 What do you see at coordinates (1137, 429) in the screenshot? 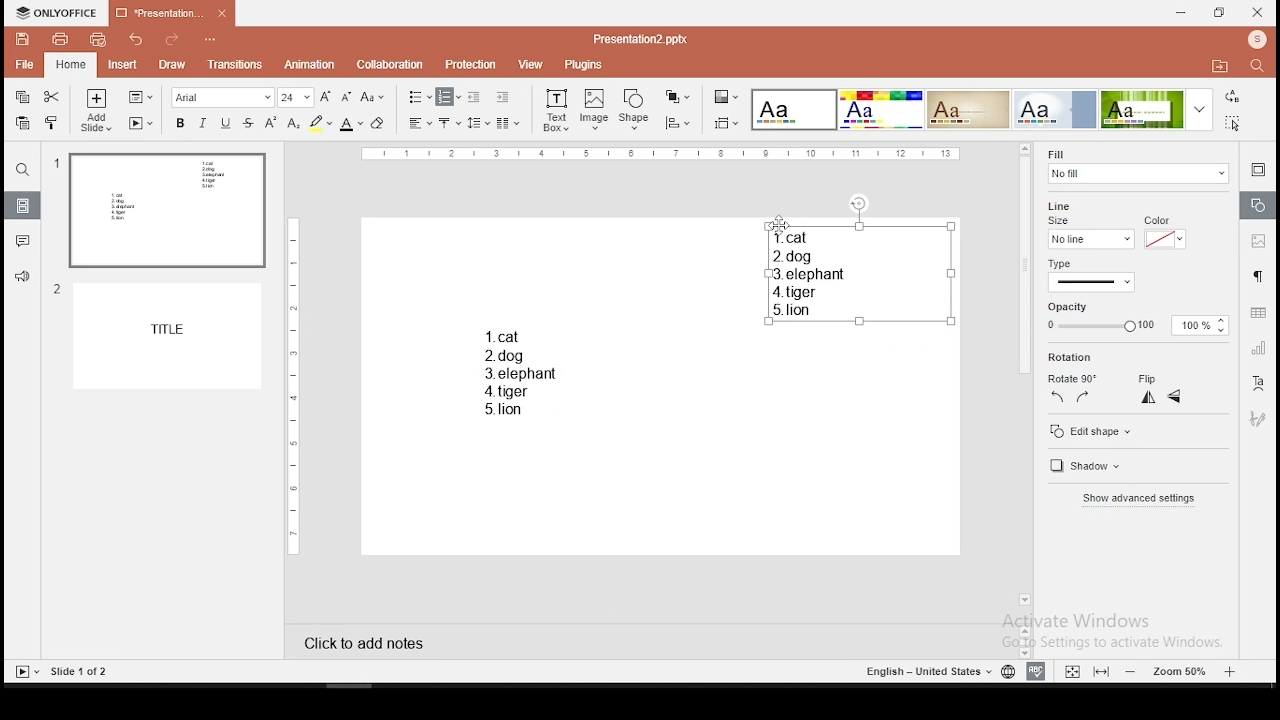
I see `edit shape` at bounding box center [1137, 429].